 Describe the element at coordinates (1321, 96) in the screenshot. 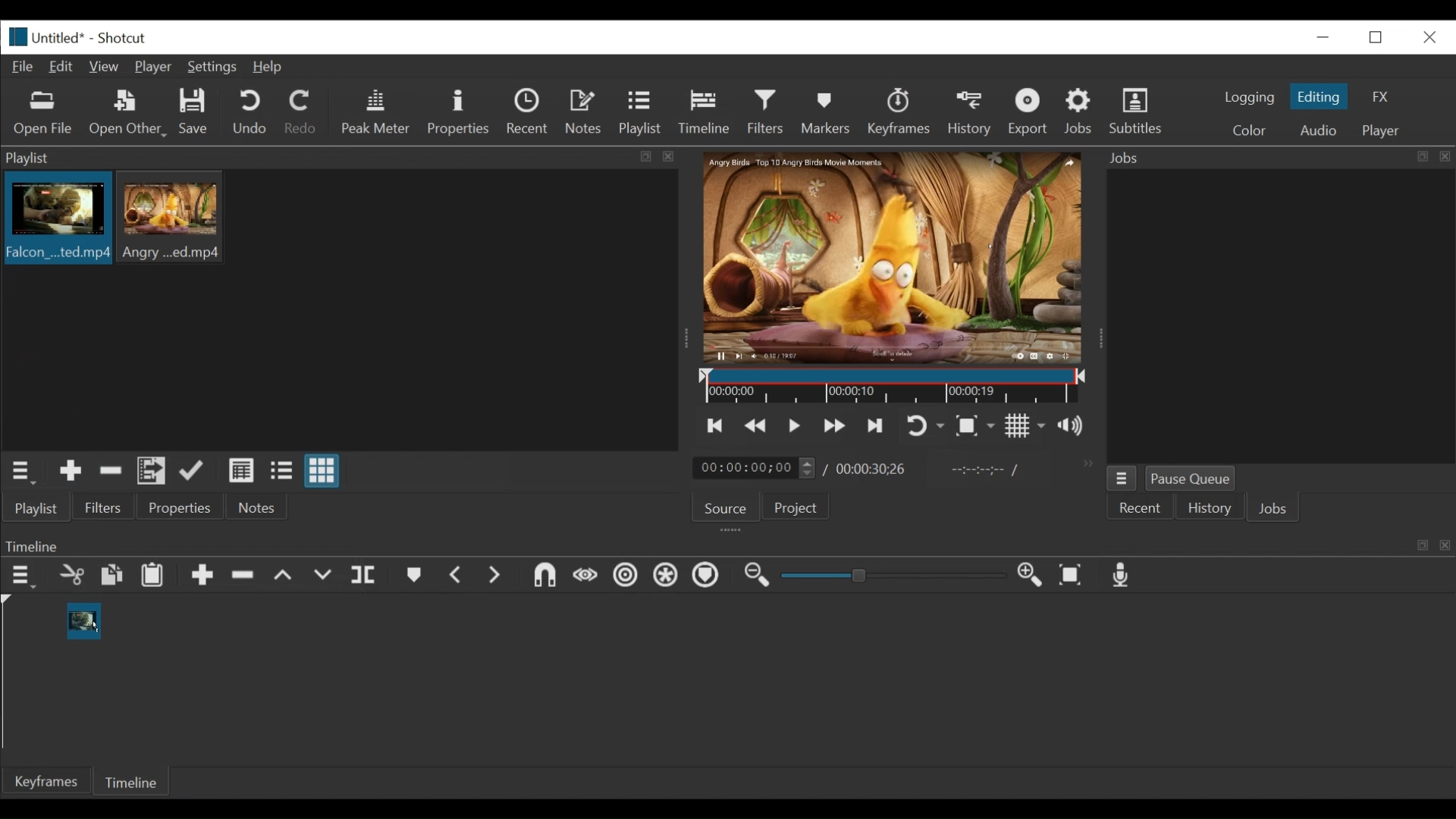

I see `Editing` at that location.